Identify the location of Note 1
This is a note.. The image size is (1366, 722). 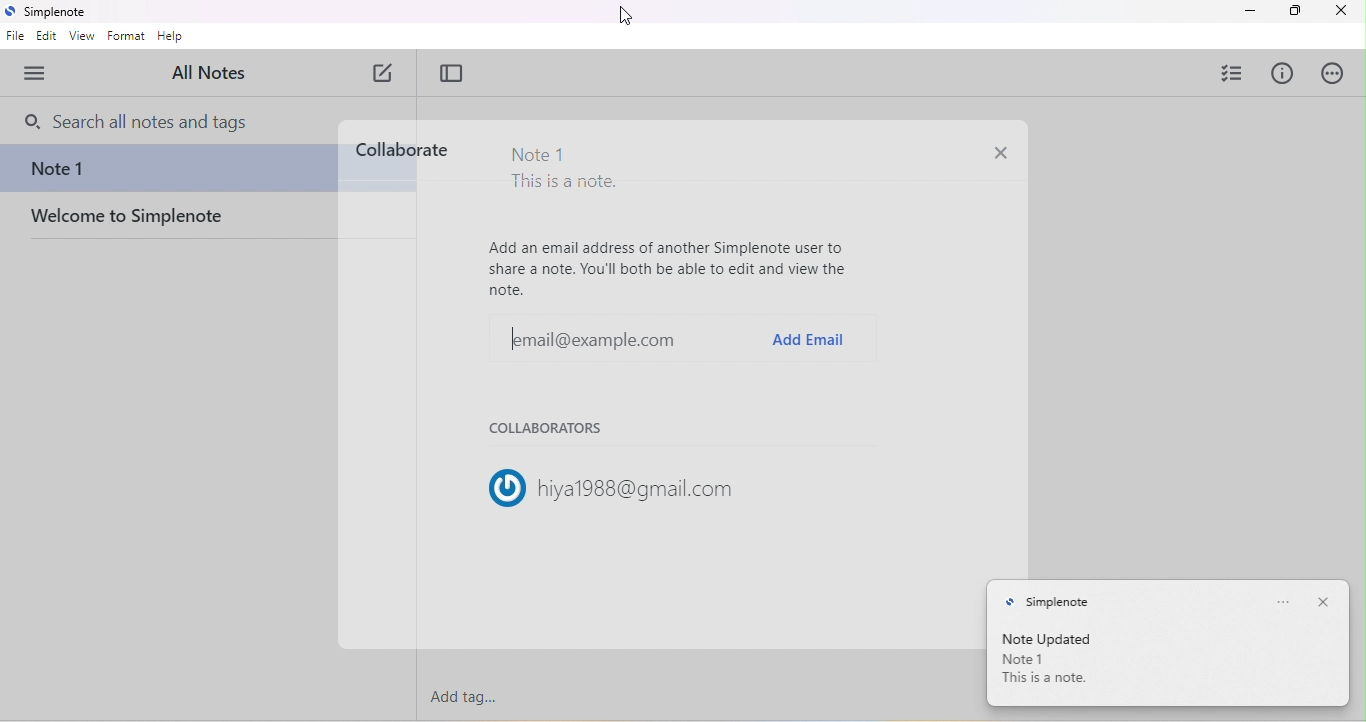
(563, 171).